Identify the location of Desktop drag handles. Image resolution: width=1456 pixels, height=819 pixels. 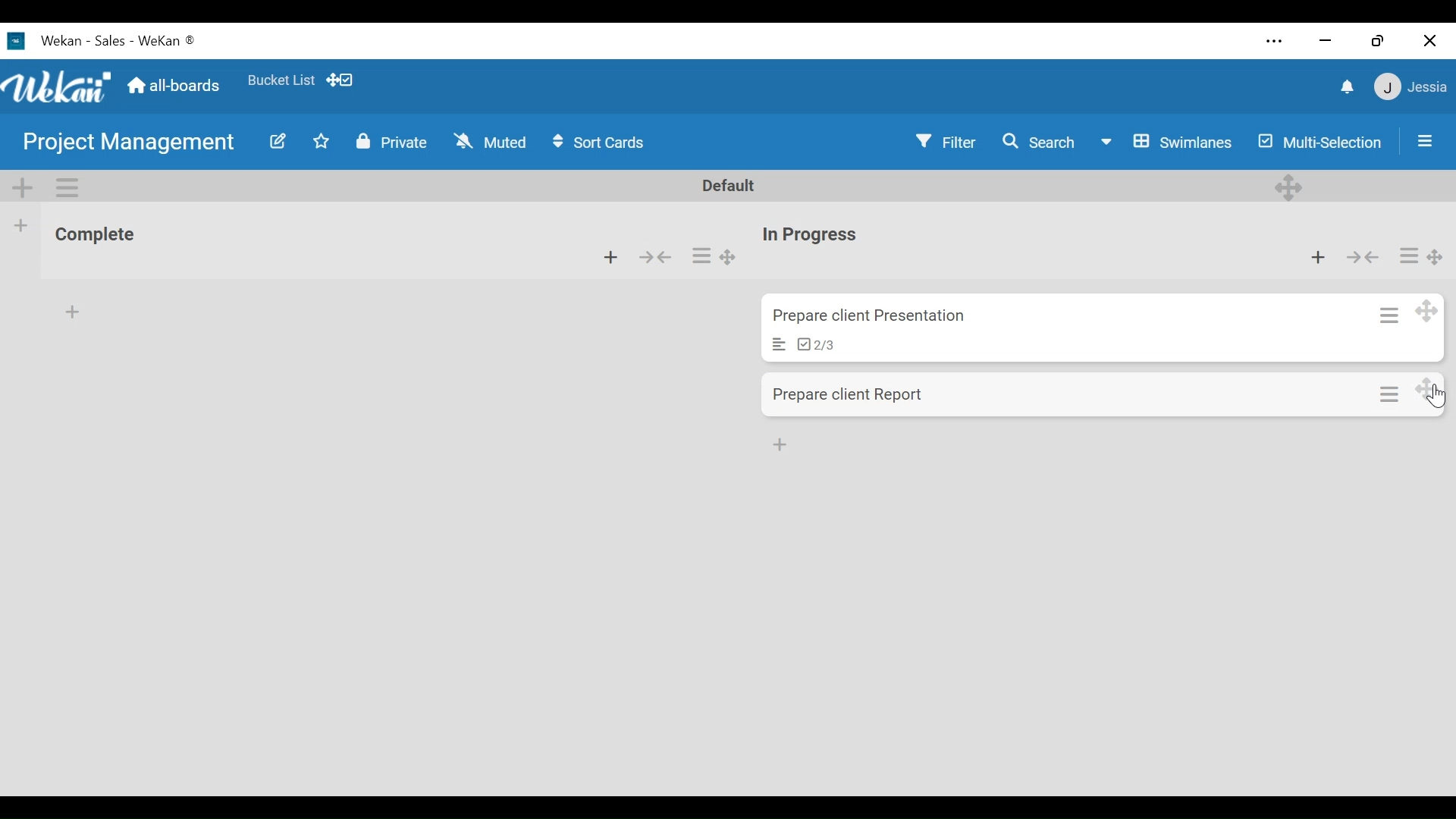
(729, 258).